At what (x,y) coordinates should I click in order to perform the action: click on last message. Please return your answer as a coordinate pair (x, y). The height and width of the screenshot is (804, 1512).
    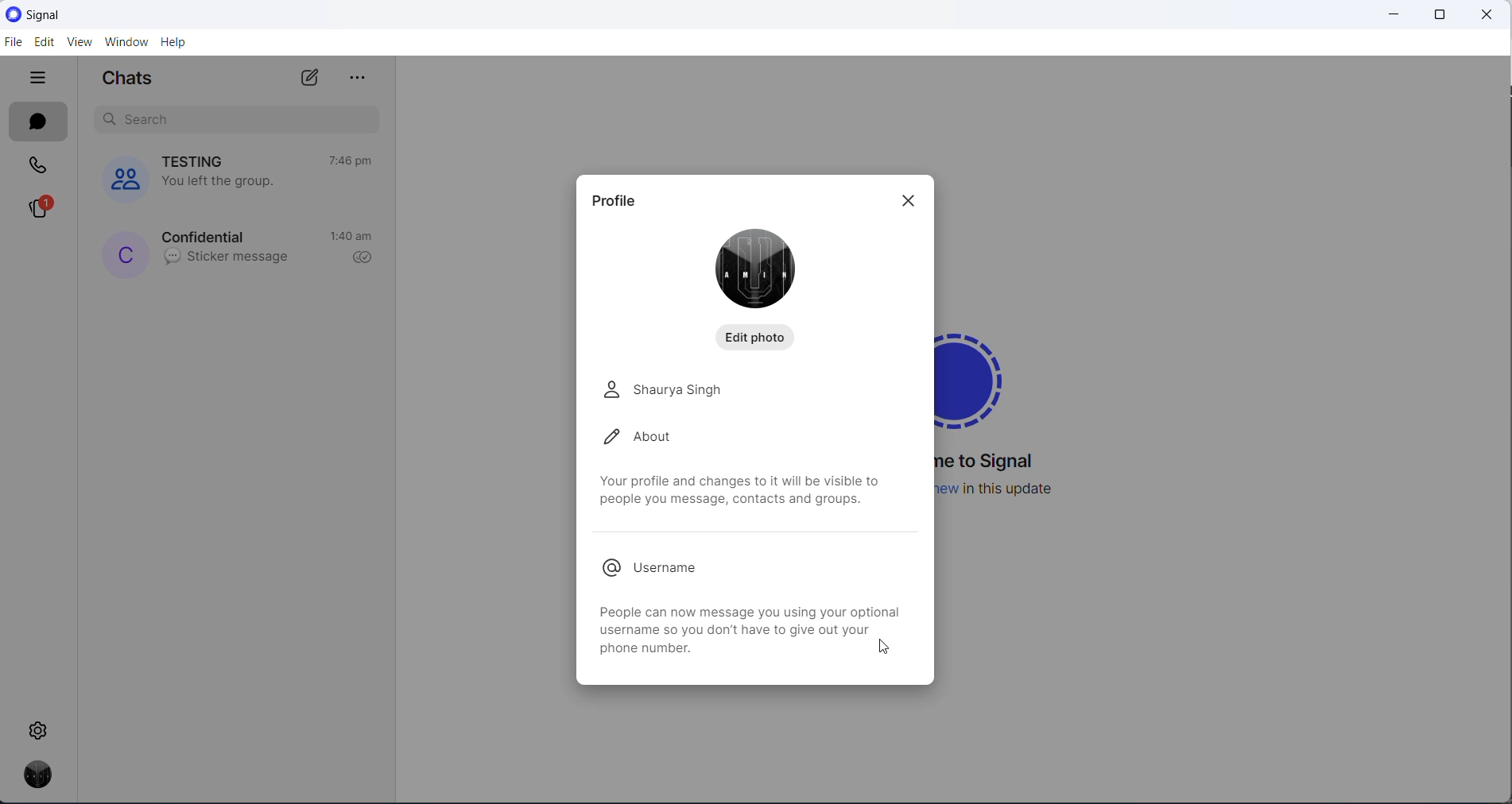
    Looking at the image, I should click on (226, 258).